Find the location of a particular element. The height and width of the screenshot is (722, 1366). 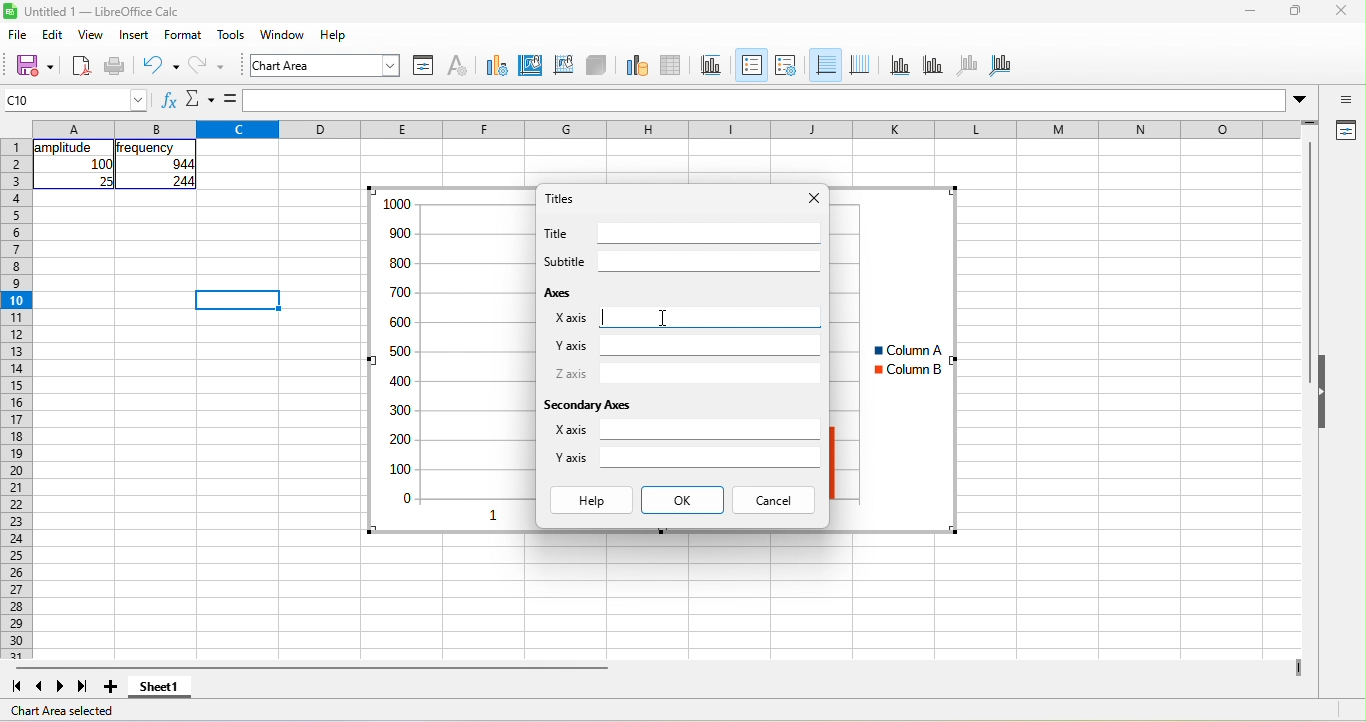

Function options is located at coordinates (200, 99).